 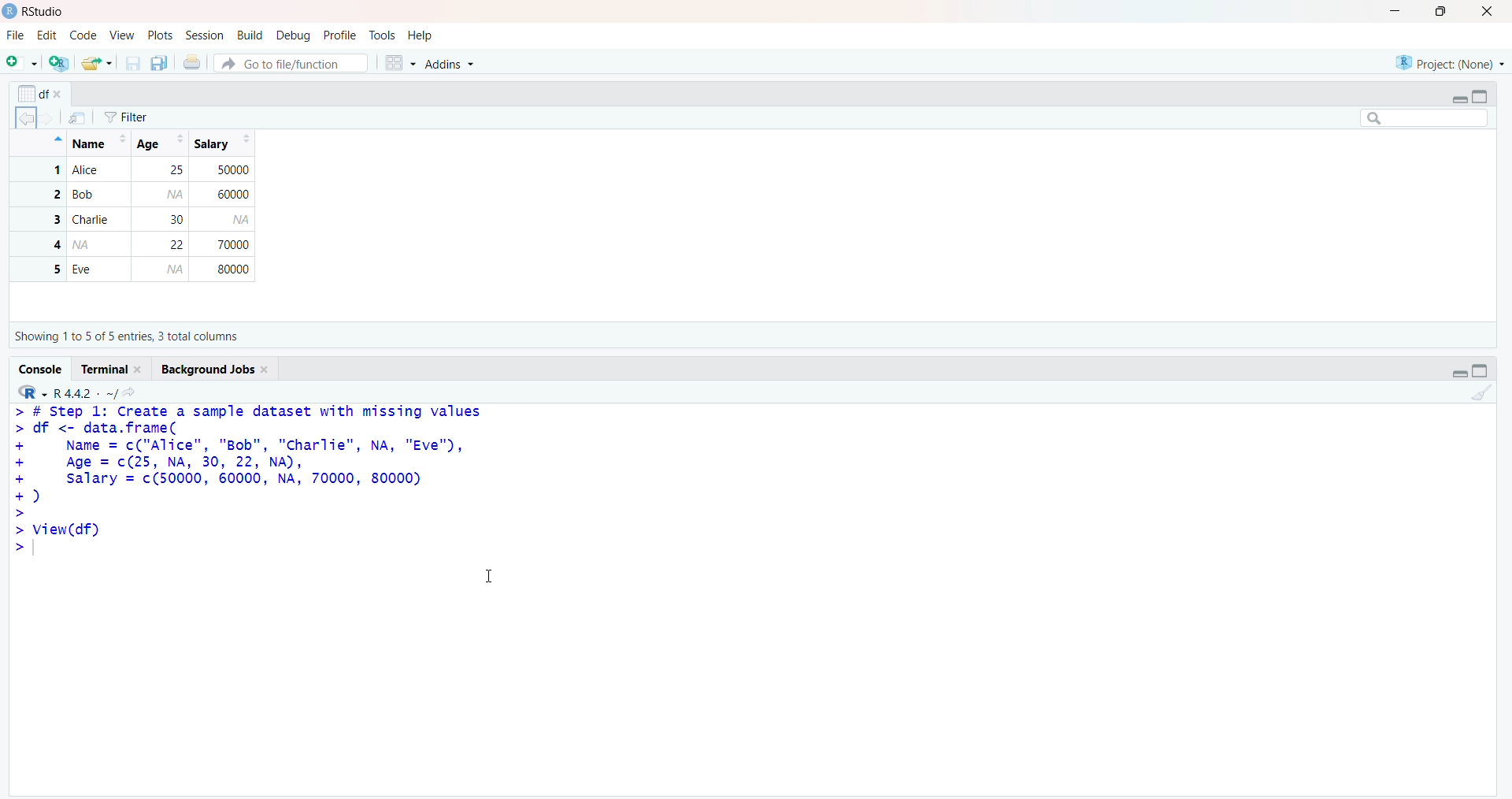 I want to click on Name, so click(x=95, y=141).